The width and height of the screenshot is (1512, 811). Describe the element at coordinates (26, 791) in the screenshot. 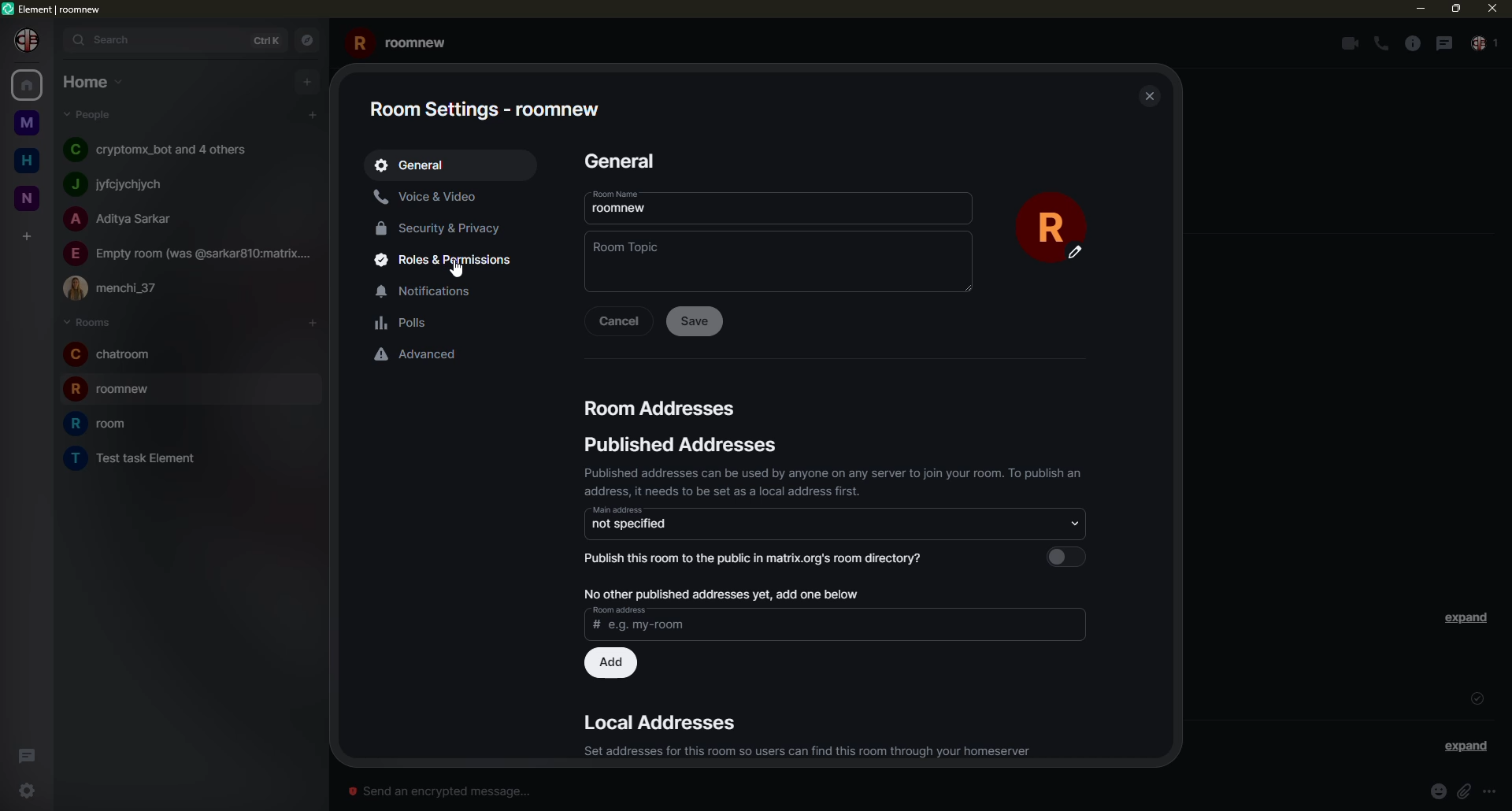

I see `settings` at that location.